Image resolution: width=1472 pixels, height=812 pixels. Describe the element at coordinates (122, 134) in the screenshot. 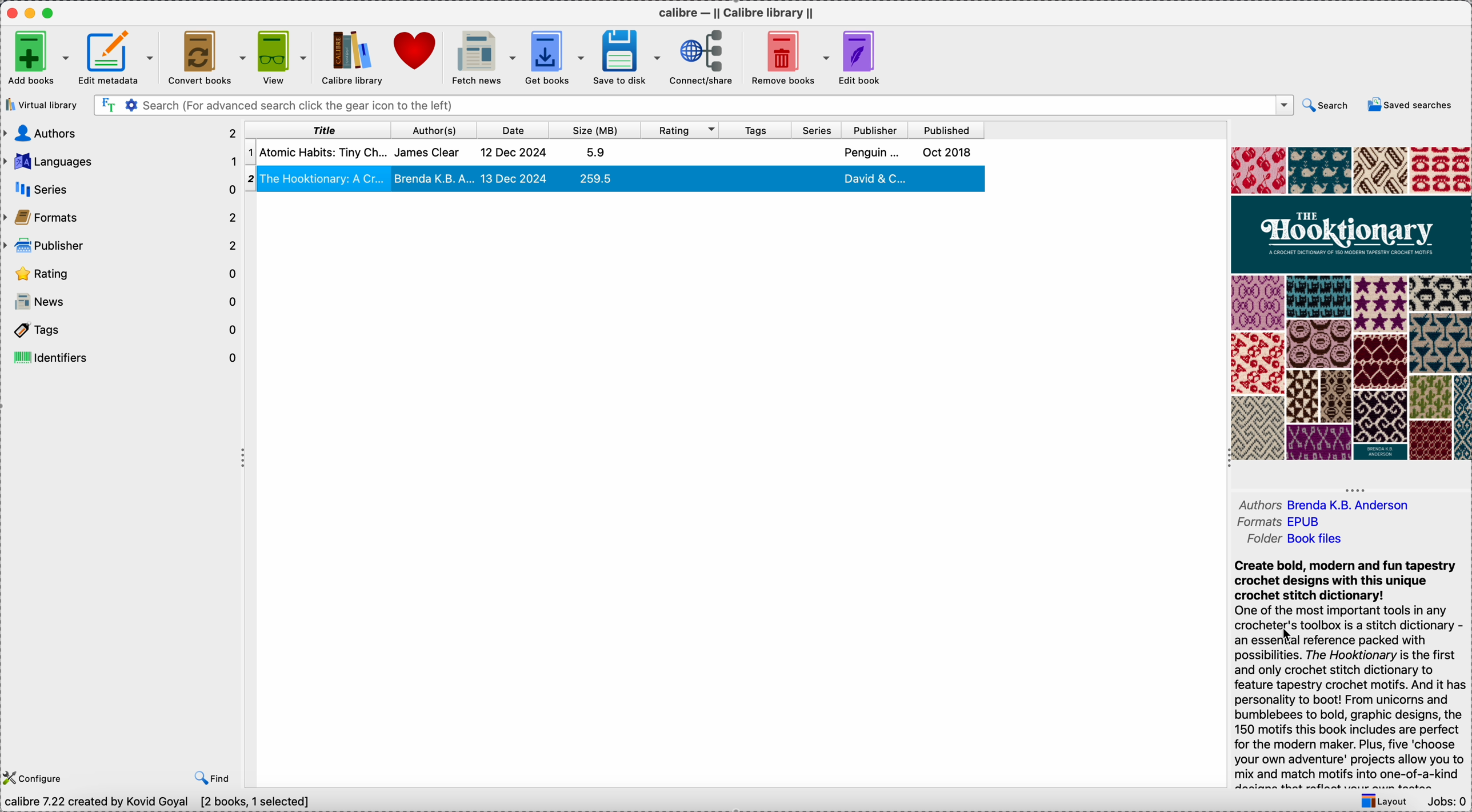

I see `authors` at that location.